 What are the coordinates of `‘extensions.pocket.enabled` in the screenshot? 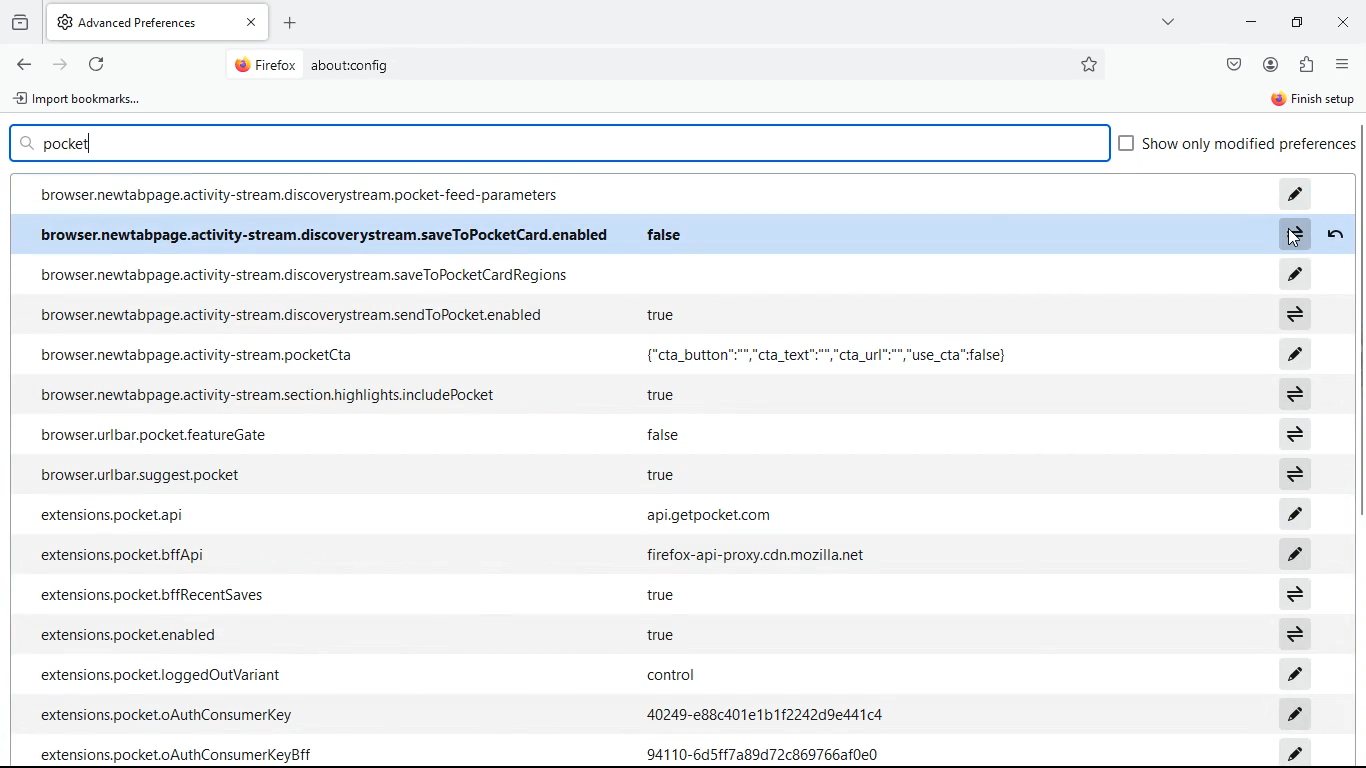 It's located at (132, 634).